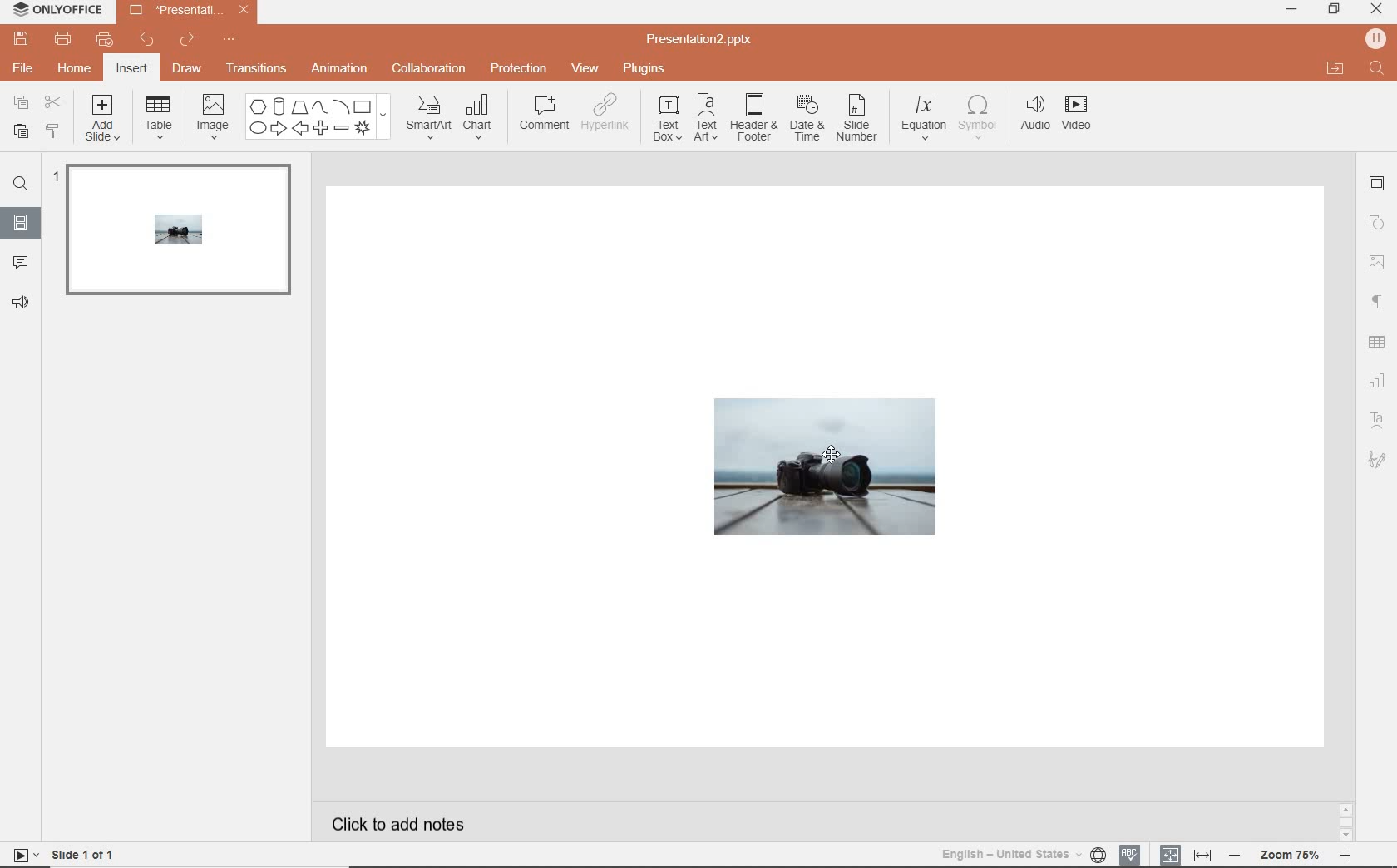  What do you see at coordinates (1379, 379) in the screenshot?
I see `chart` at bounding box center [1379, 379].